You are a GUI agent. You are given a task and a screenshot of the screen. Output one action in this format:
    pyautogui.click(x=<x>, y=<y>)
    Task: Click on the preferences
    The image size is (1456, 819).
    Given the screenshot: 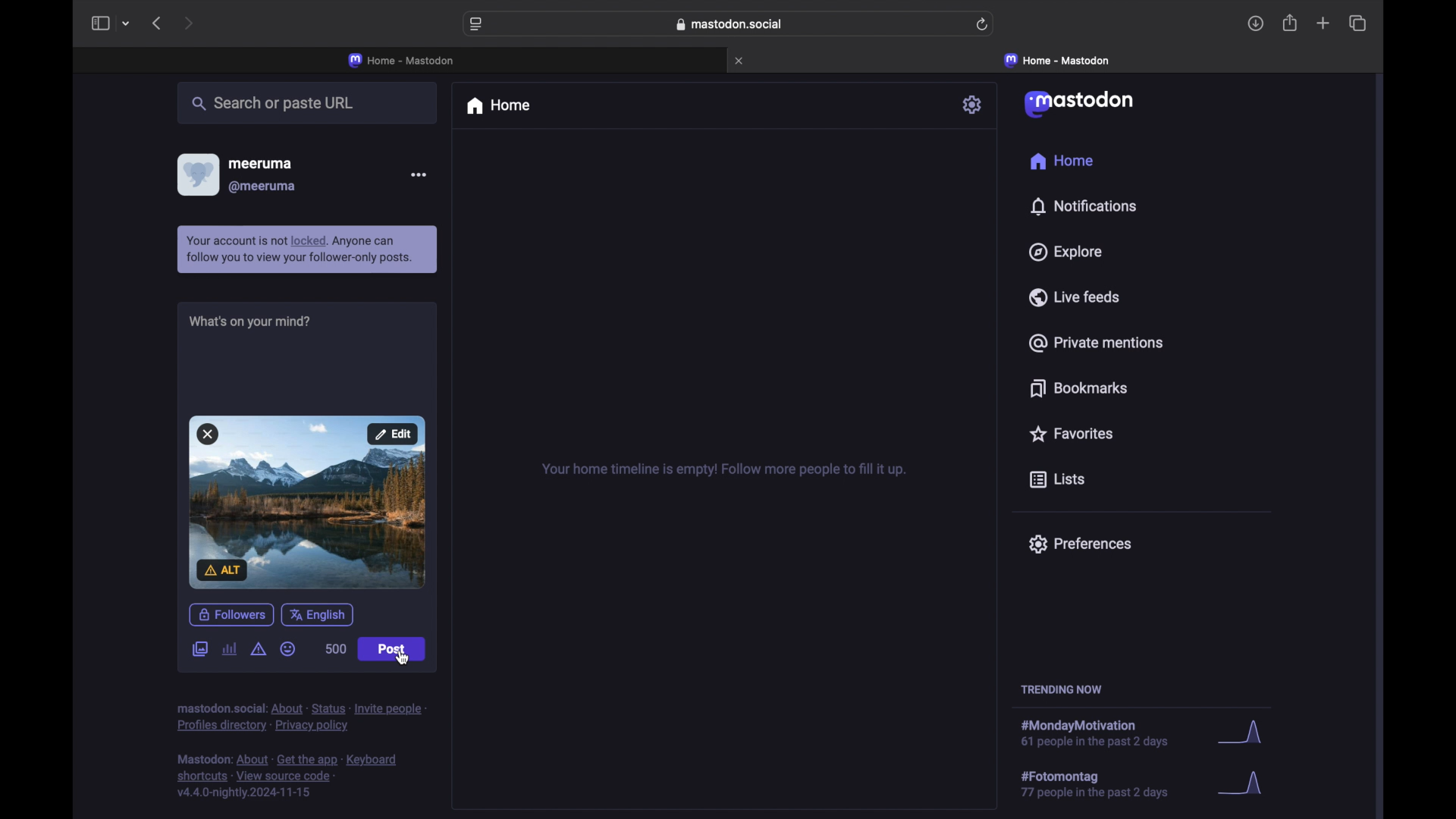 What is the action you would take?
    pyautogui.click(x=1081, y=544)
    